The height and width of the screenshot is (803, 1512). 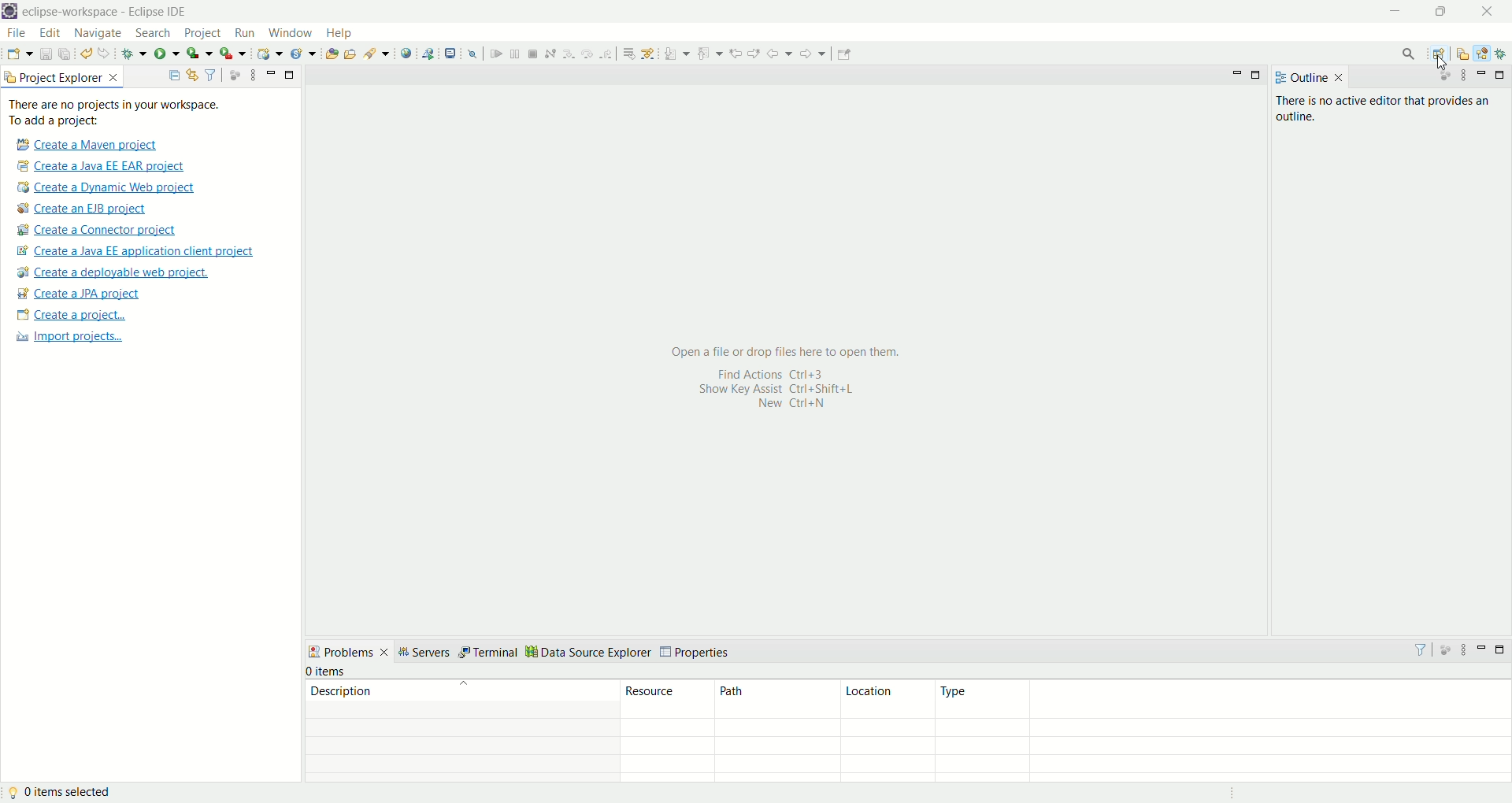 What do you see at coordinates (97, 232) in the screenshot?
I see `create a connector project` at bounding box center [97, 232].